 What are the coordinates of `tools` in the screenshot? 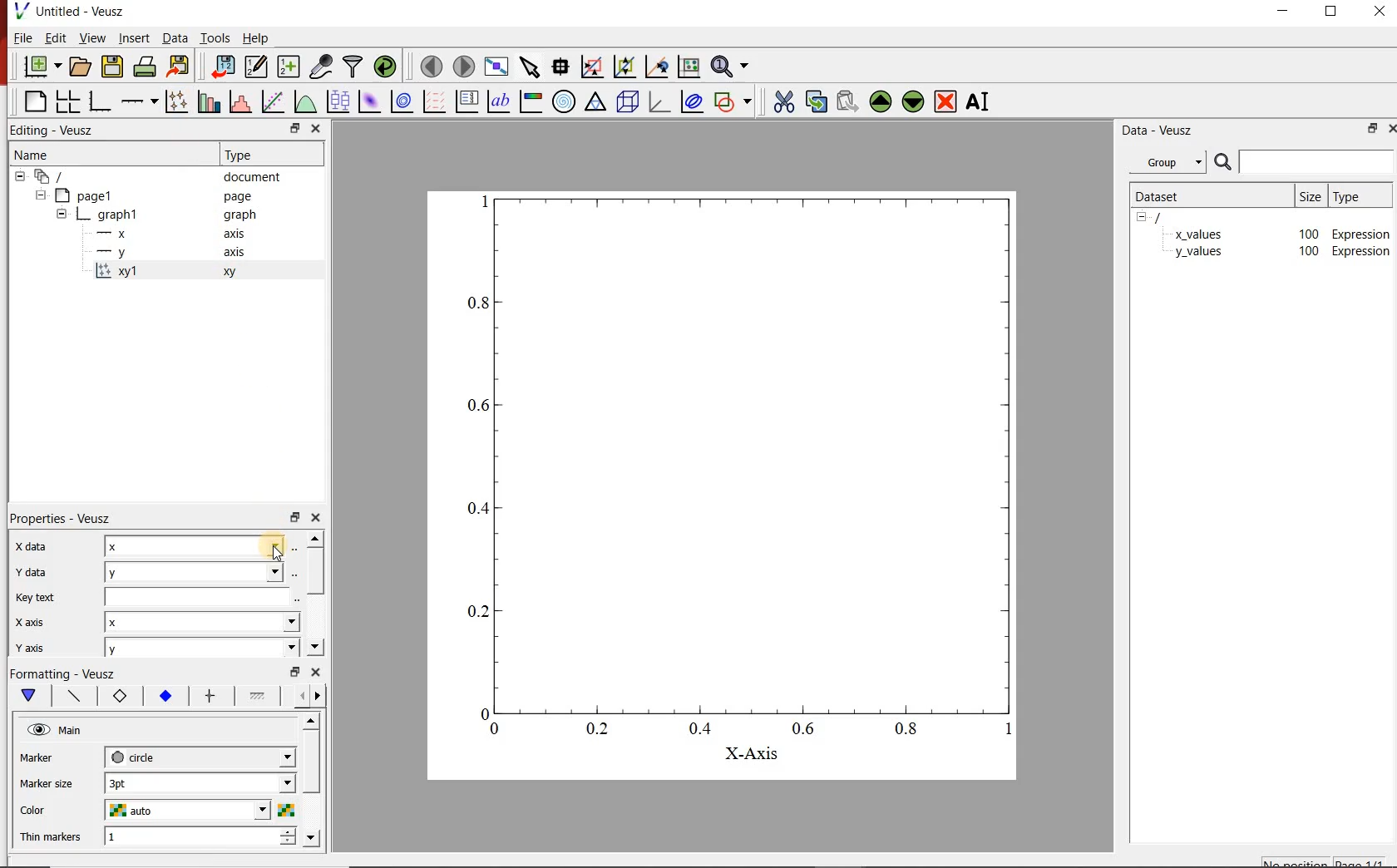 It's located at (217, 37).